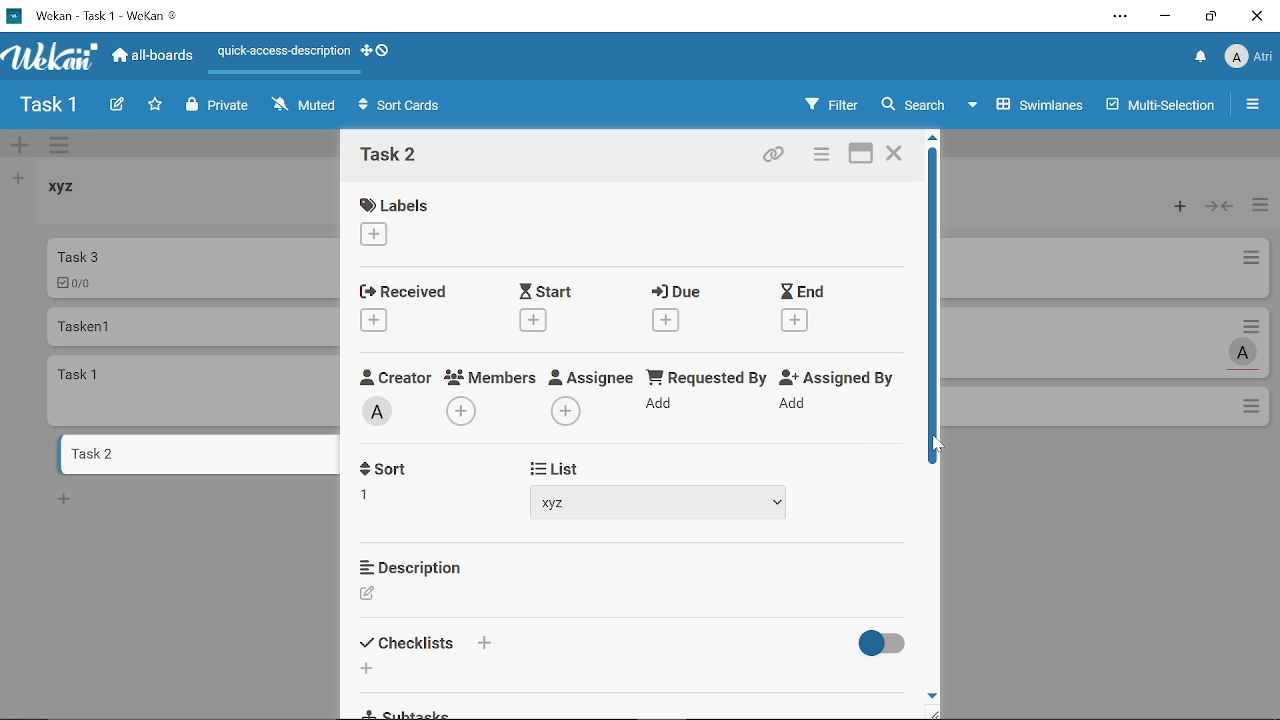 Image resolution: width=1280 pixels, height=720 pixels. Describe the element at coordinates (192, 267) in the screenshot. I see `Car` at that location.